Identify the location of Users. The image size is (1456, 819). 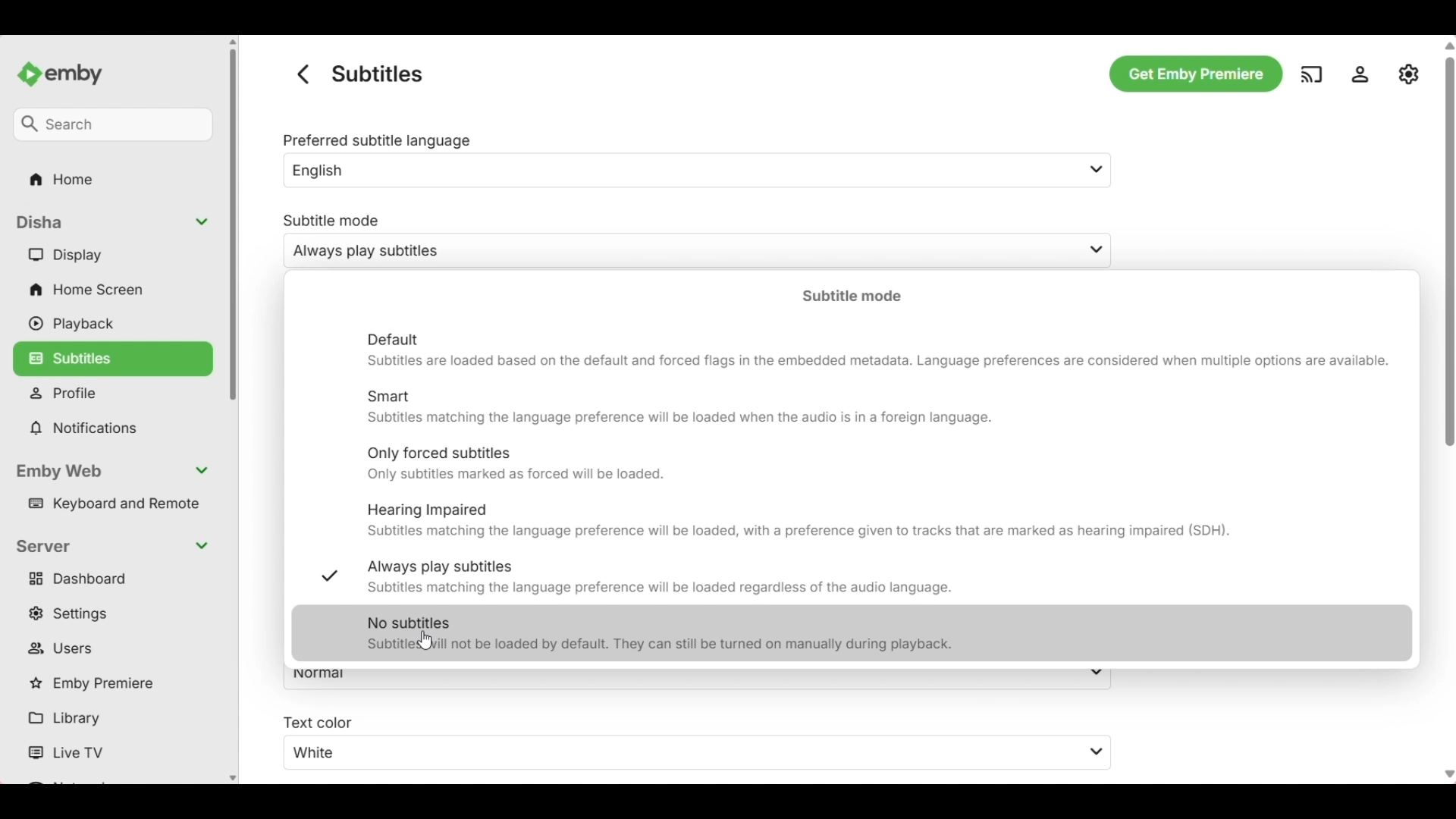
(115, 649).